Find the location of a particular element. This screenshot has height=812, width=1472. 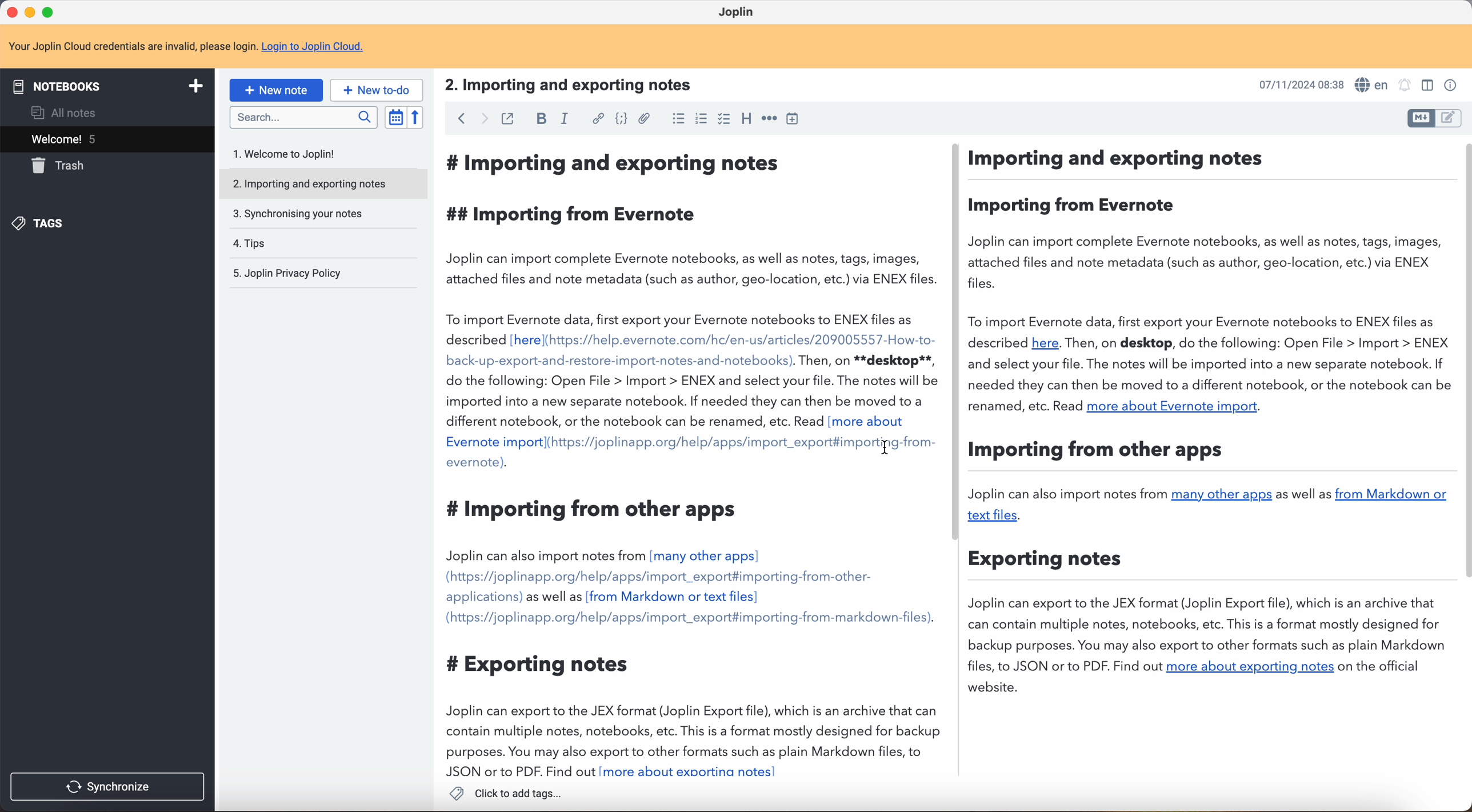

insert time is located at coordinates (795, 120).